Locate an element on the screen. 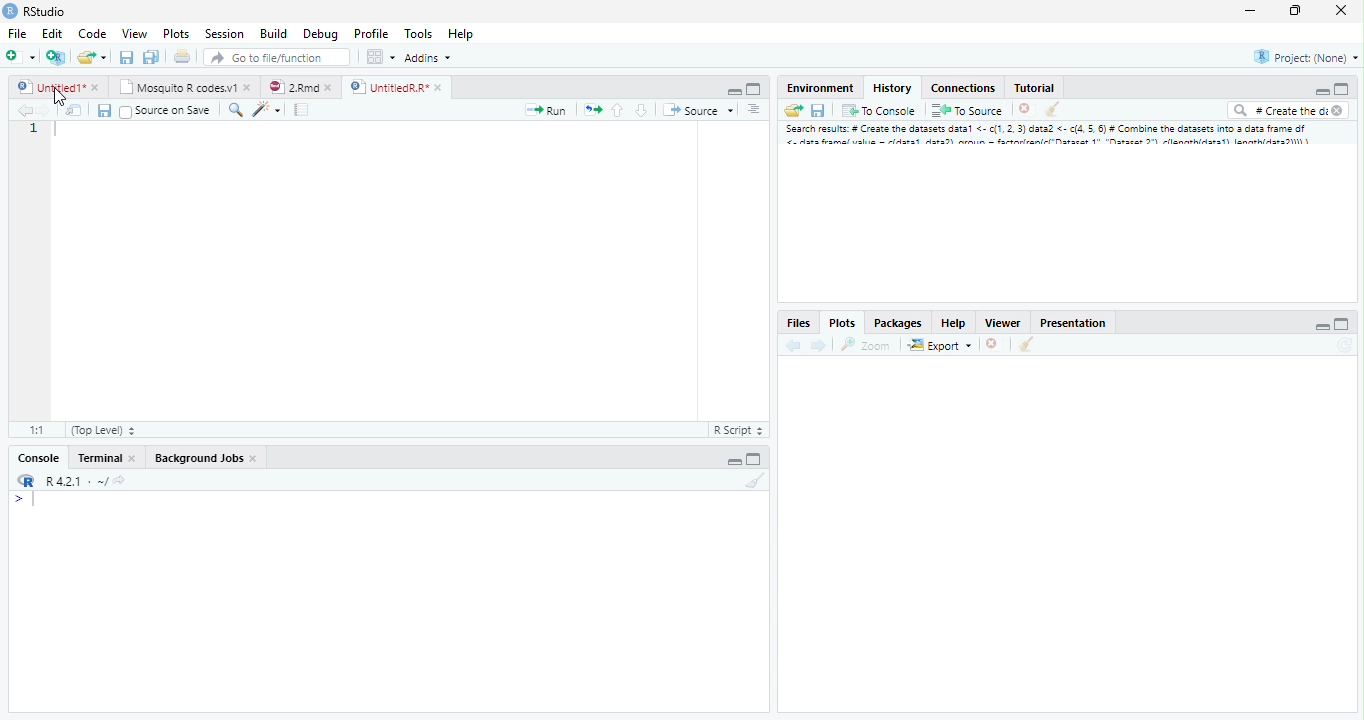  Save is located at coordinates (104, 111).